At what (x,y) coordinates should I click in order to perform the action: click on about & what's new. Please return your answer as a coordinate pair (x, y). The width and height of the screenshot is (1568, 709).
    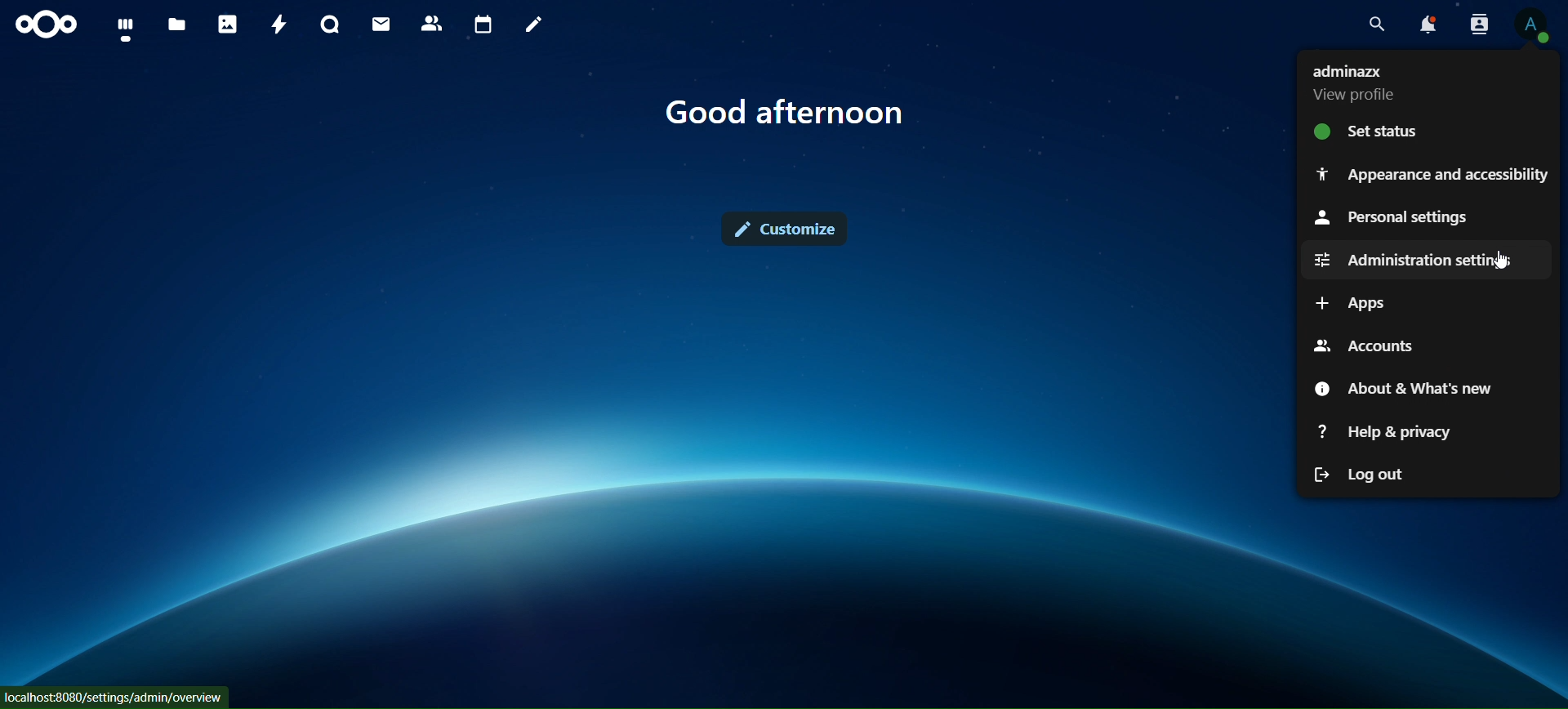
    Looking at the image, I should click on (1406, 387).